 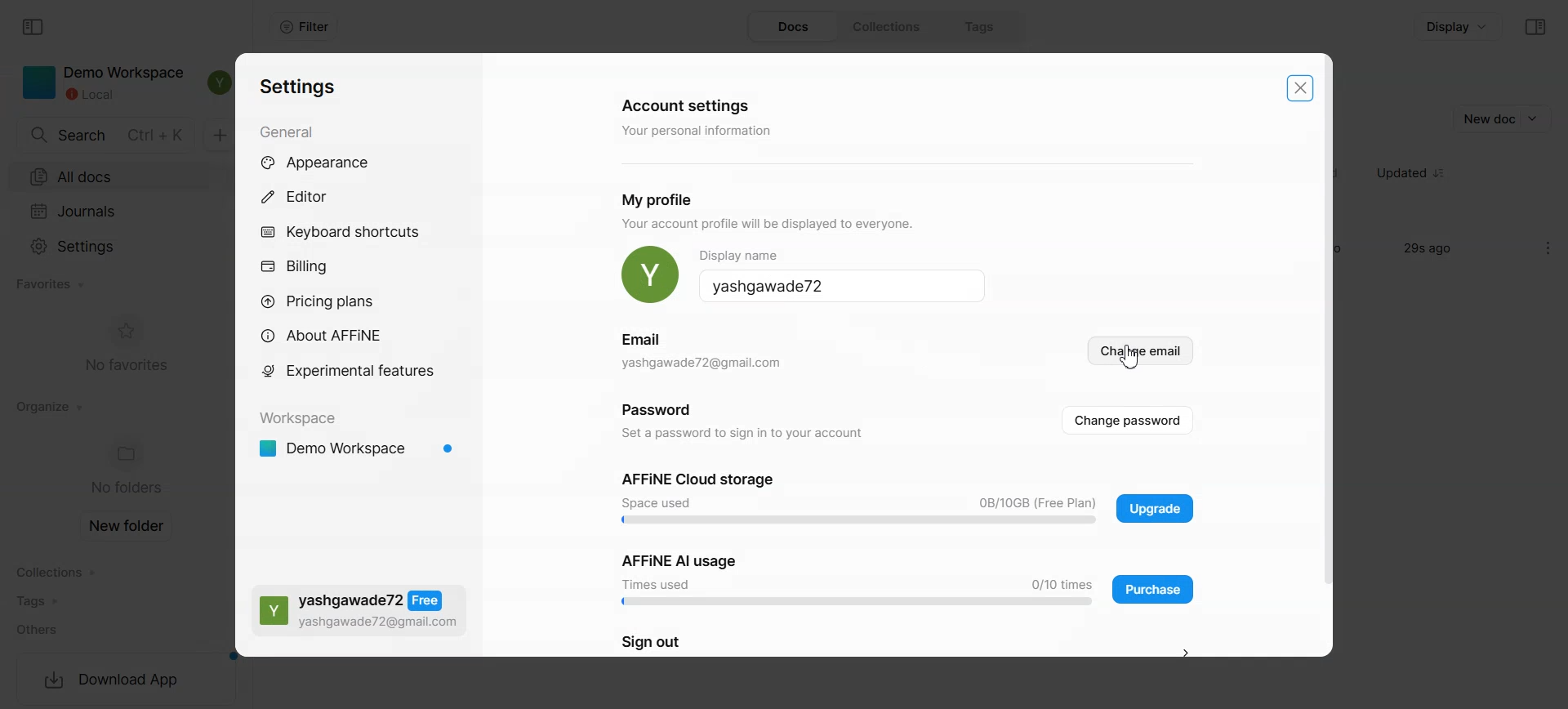 What do you see at coordinates (1190, 651) in the screenshot?
I see `Sign Out` at bounding box center [1190, 651].